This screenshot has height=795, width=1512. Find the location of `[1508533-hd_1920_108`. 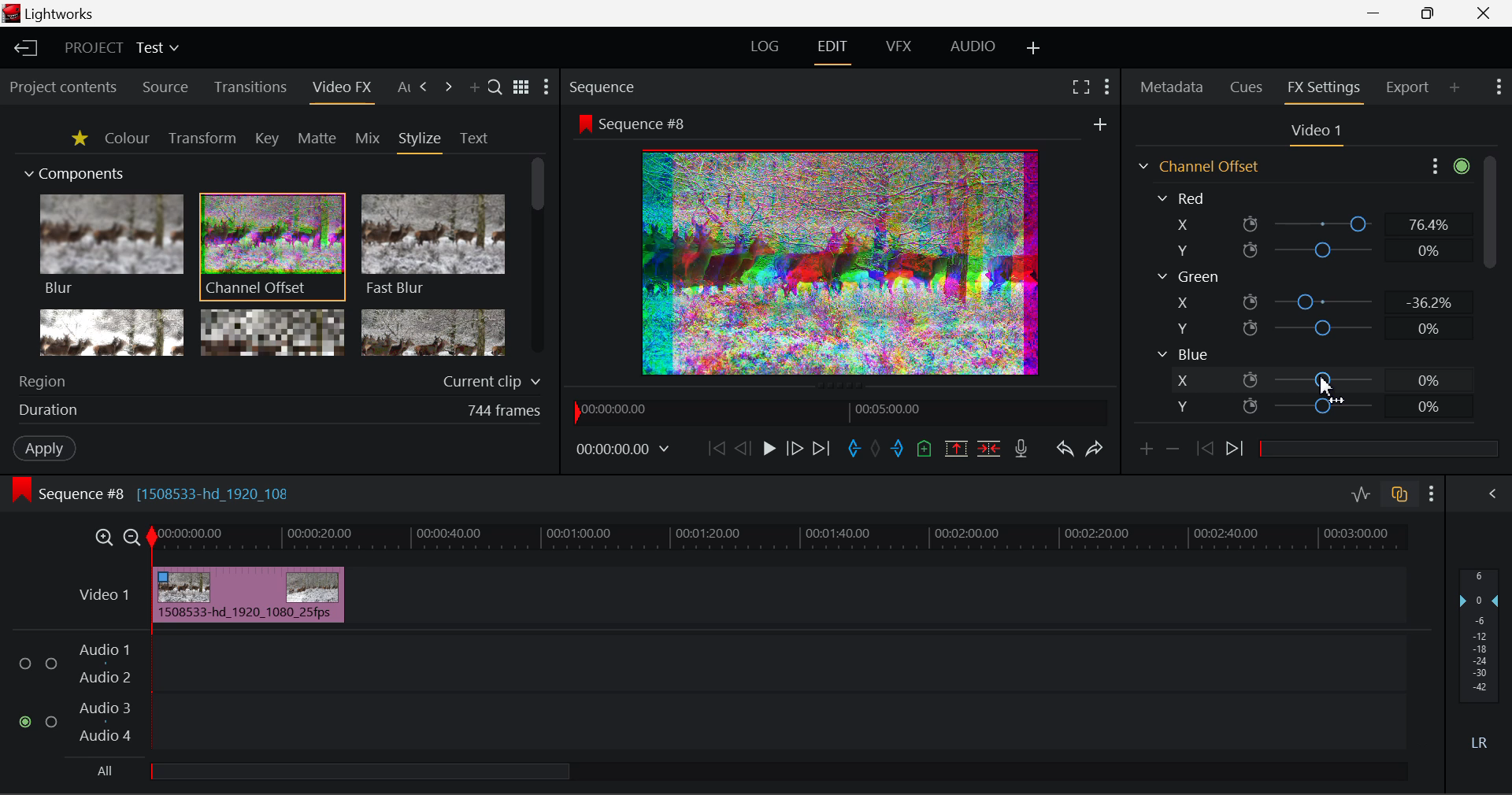

[1508533-hd_1920_108 is located at coordinates (224, 496).